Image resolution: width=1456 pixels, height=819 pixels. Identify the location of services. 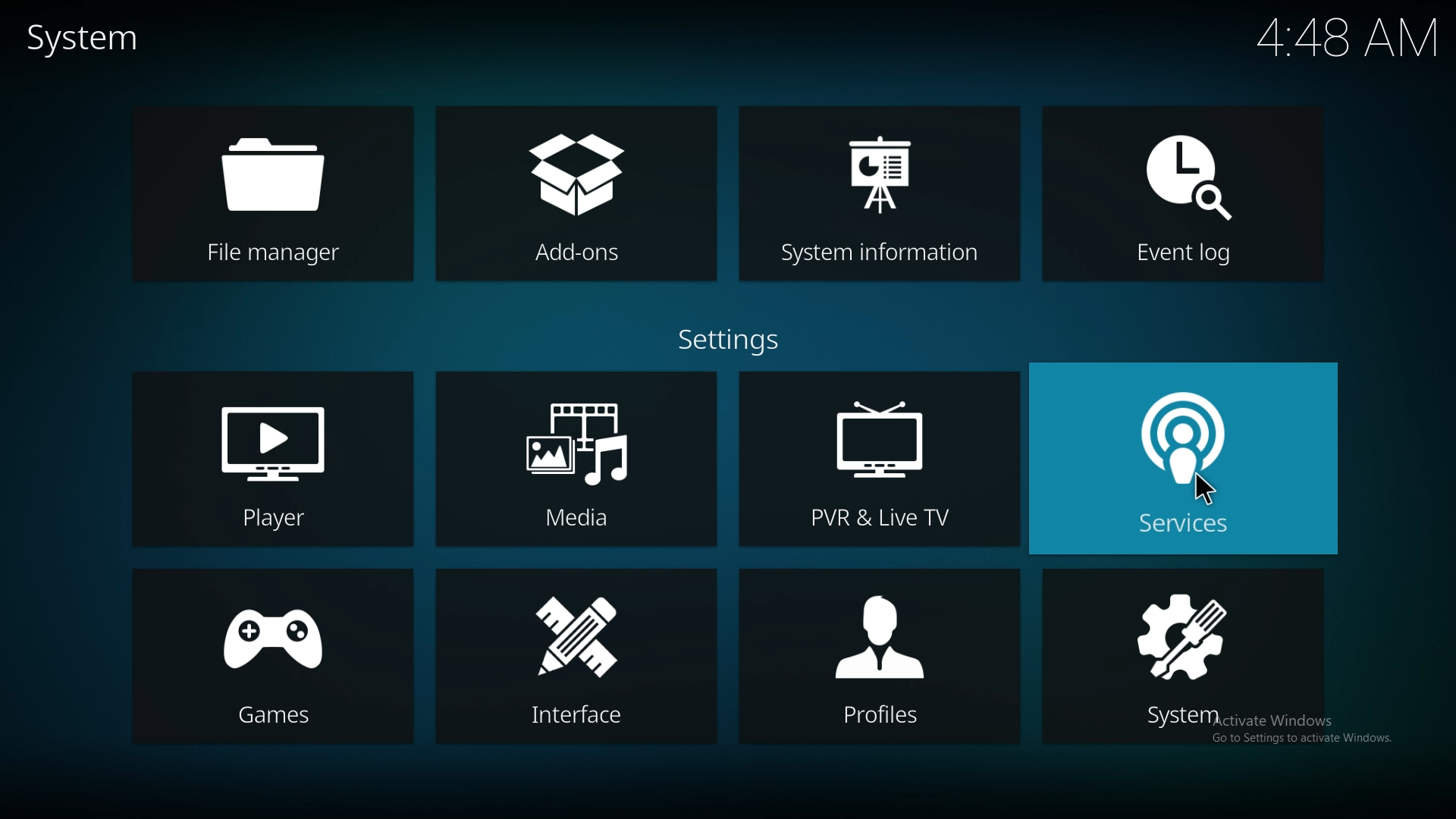
(1184, 455).